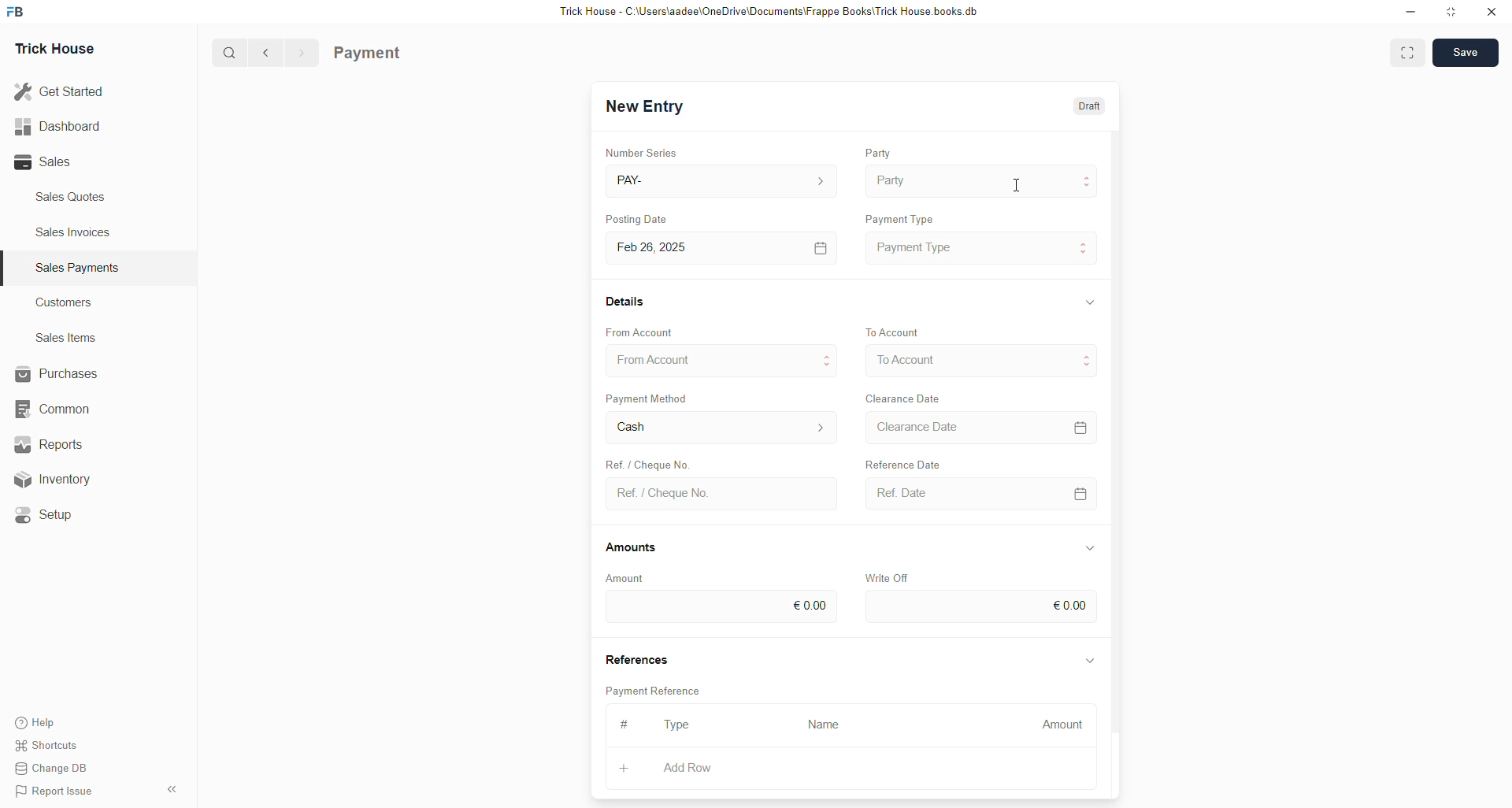 This screenshot has height=808, width=1512. I want to click on To Account, so click(895, 332).